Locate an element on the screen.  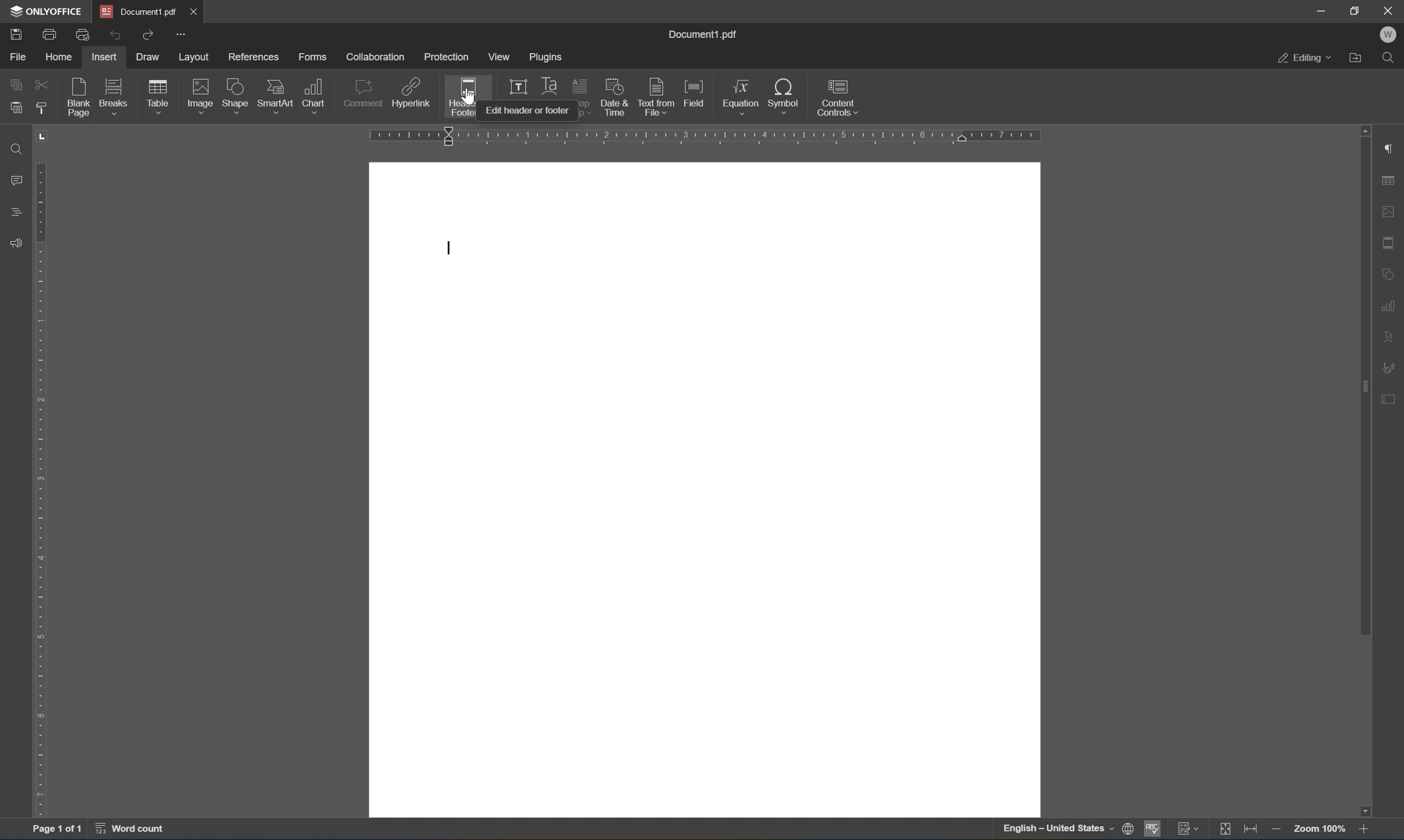
ONLYOFFICE is located at coordinates (46, 12).